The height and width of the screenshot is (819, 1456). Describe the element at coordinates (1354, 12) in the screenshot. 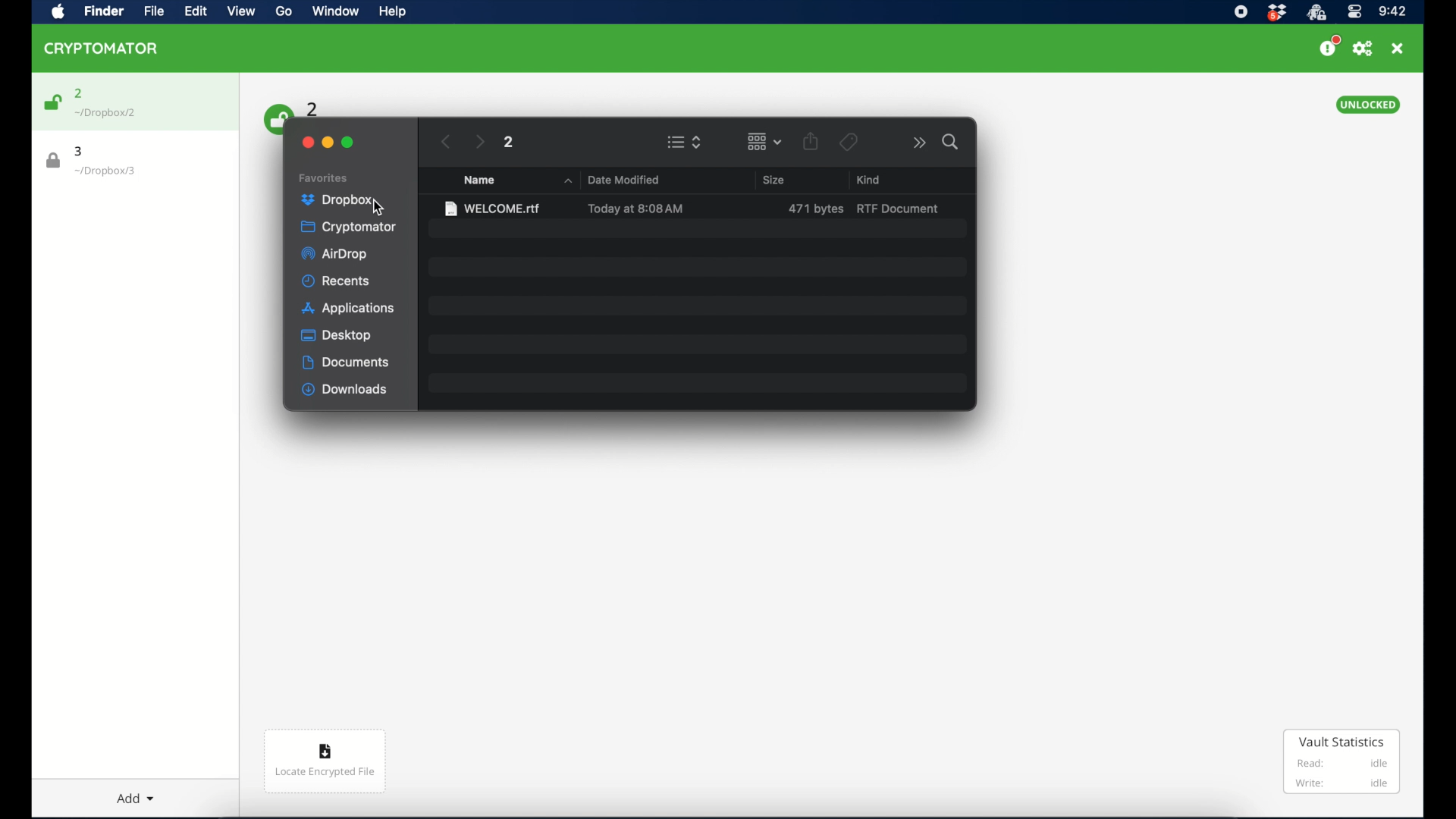

I see `control  center` at that location.